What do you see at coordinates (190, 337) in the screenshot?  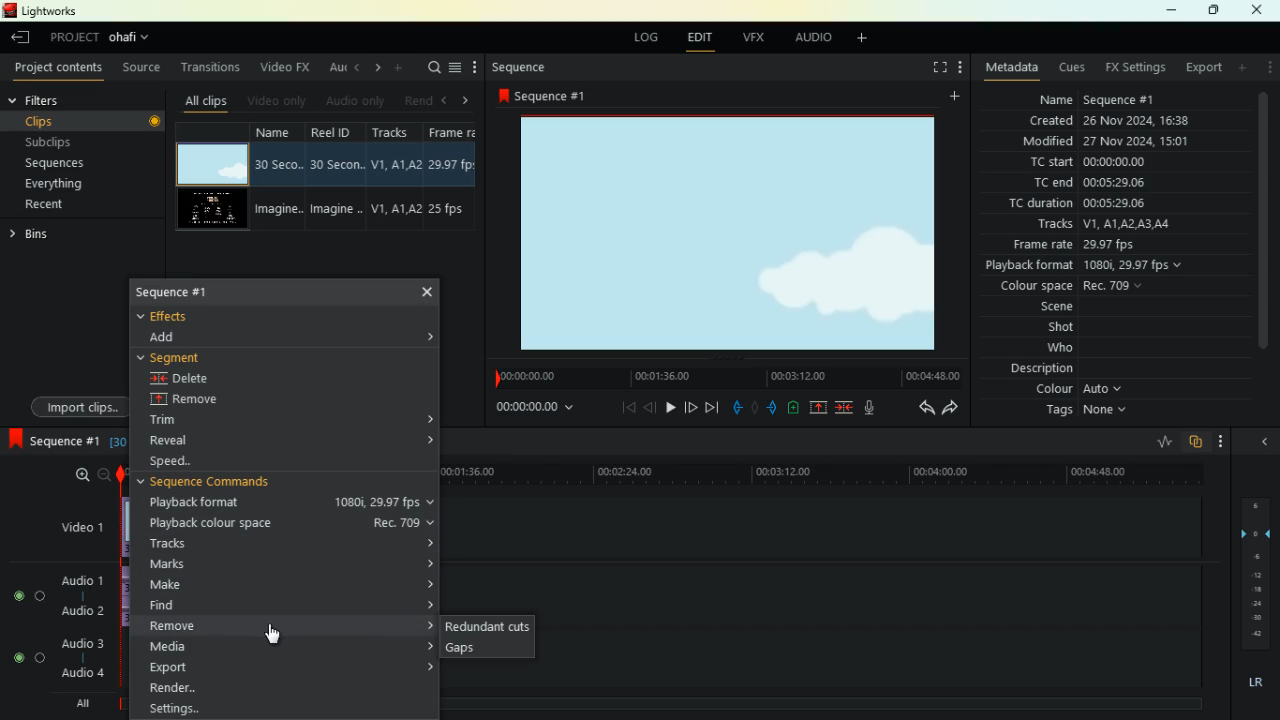 I see `dd` at bounding box center [190, 337].